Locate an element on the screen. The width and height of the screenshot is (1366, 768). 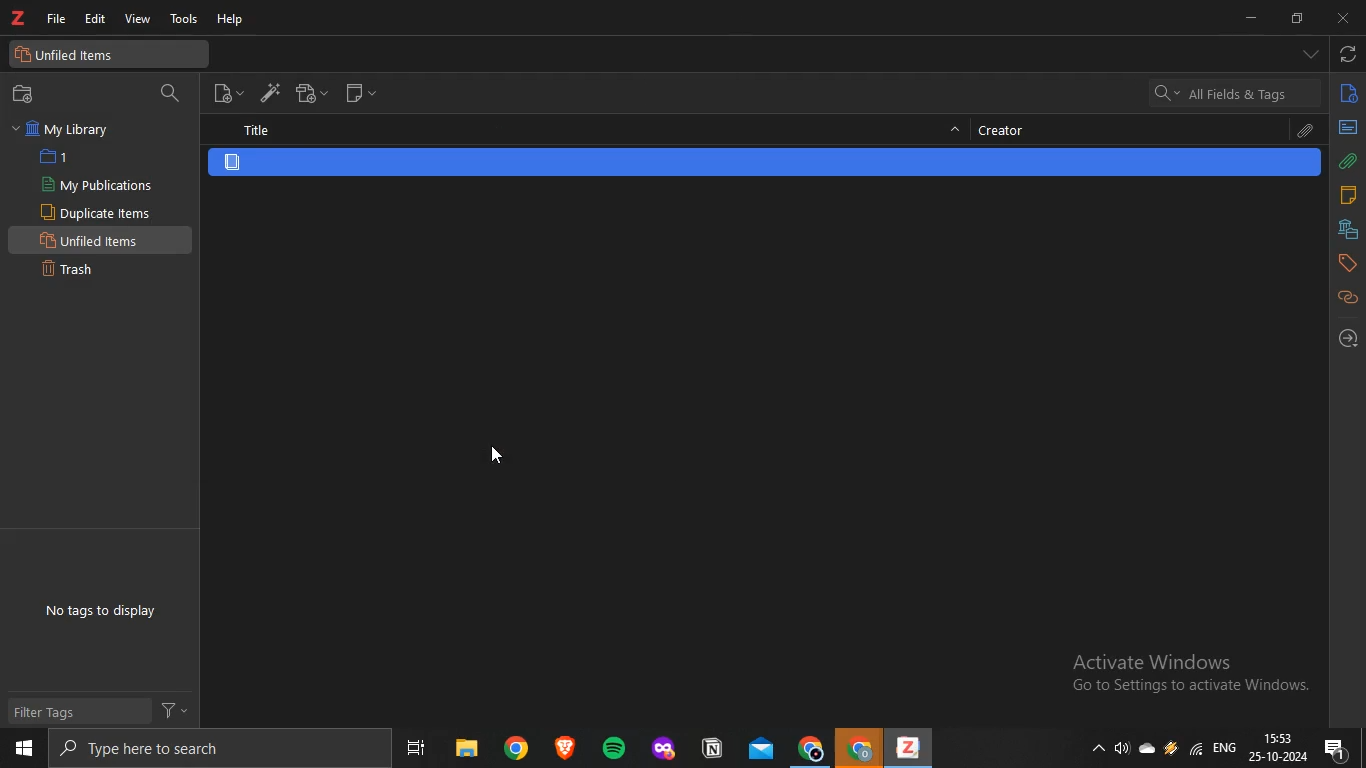
attachment is located at coordinates (1307, 131).